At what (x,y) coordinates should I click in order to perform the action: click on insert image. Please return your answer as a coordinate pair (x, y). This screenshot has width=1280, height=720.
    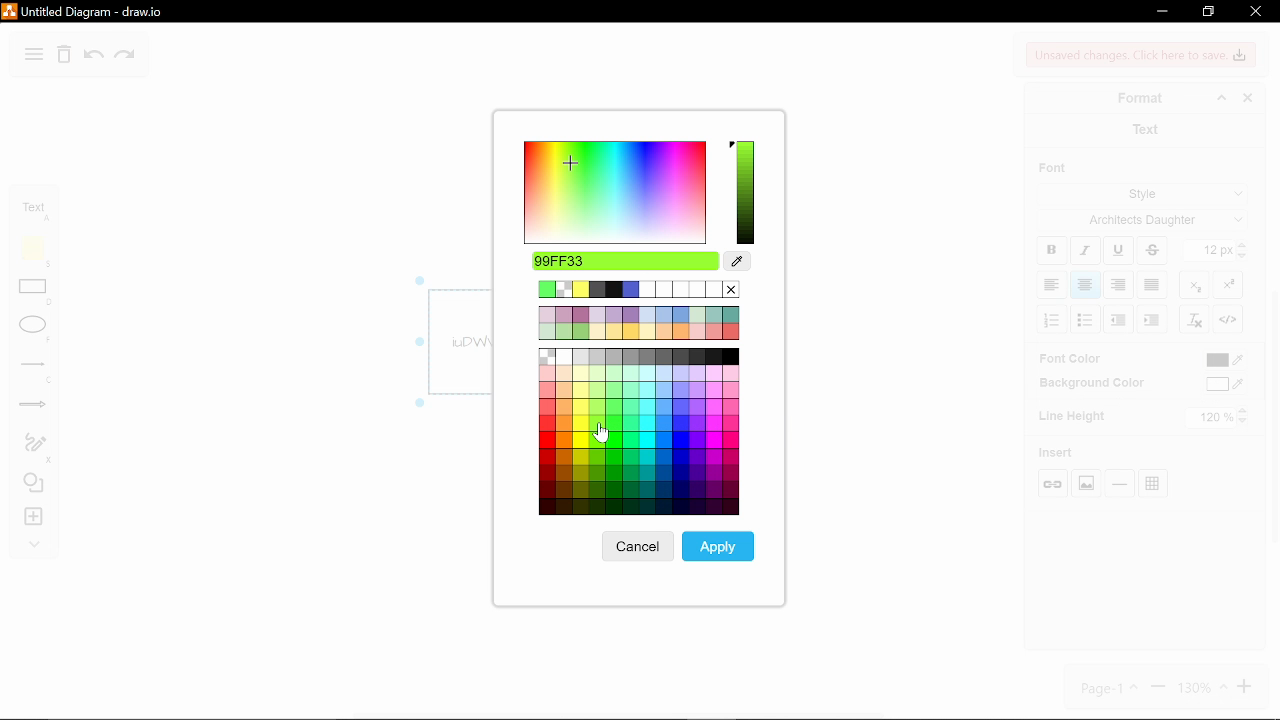
    Looking at the image, I should click on (1086, 483).